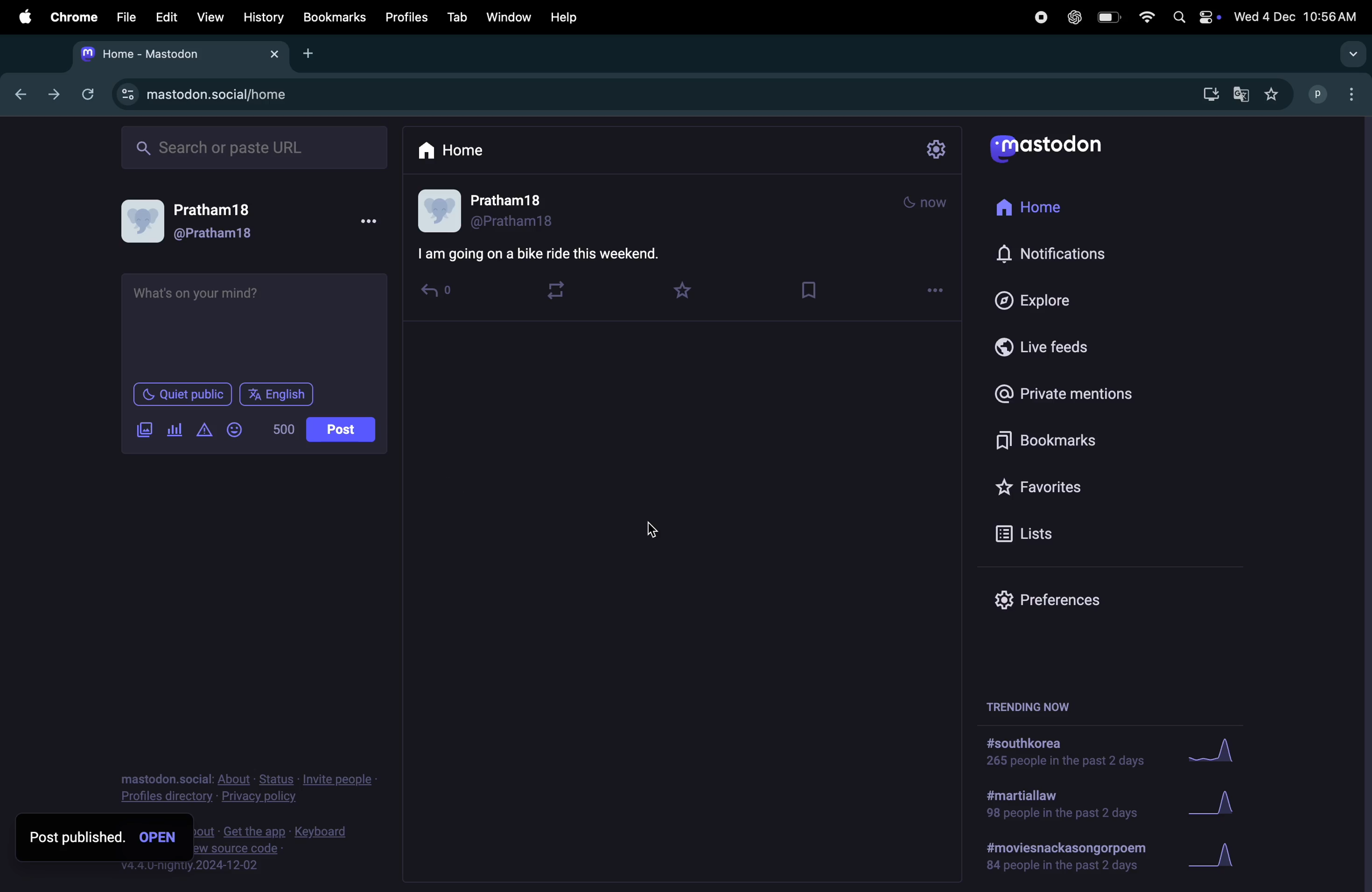 The image size is (1372, 892). What do you see at coordinates (507, 16) in the screenshot?
I see `Window` at bounding box center [507, 16].